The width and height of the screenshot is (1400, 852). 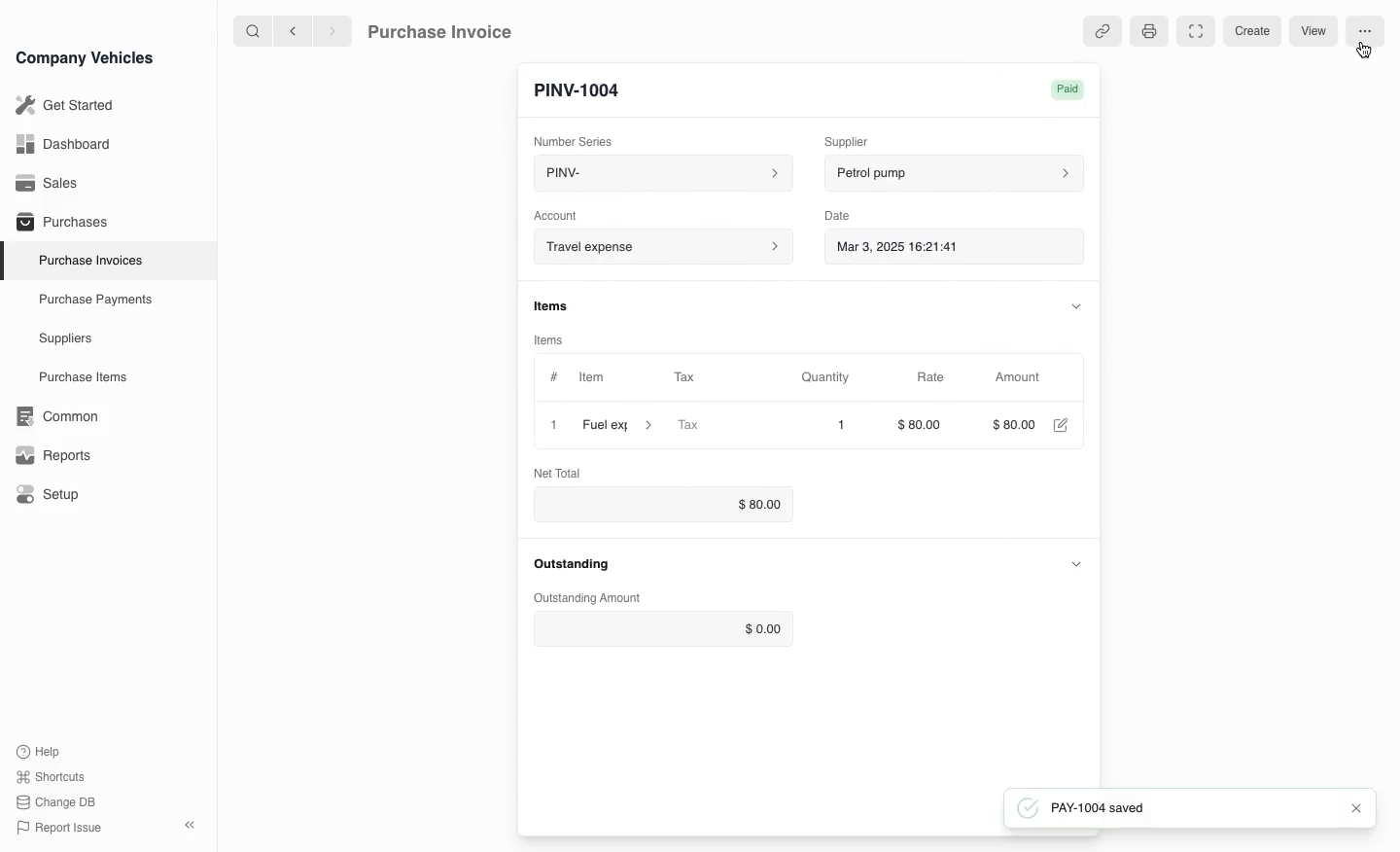 I want to click on $0.00, so click(x=654, y=504).